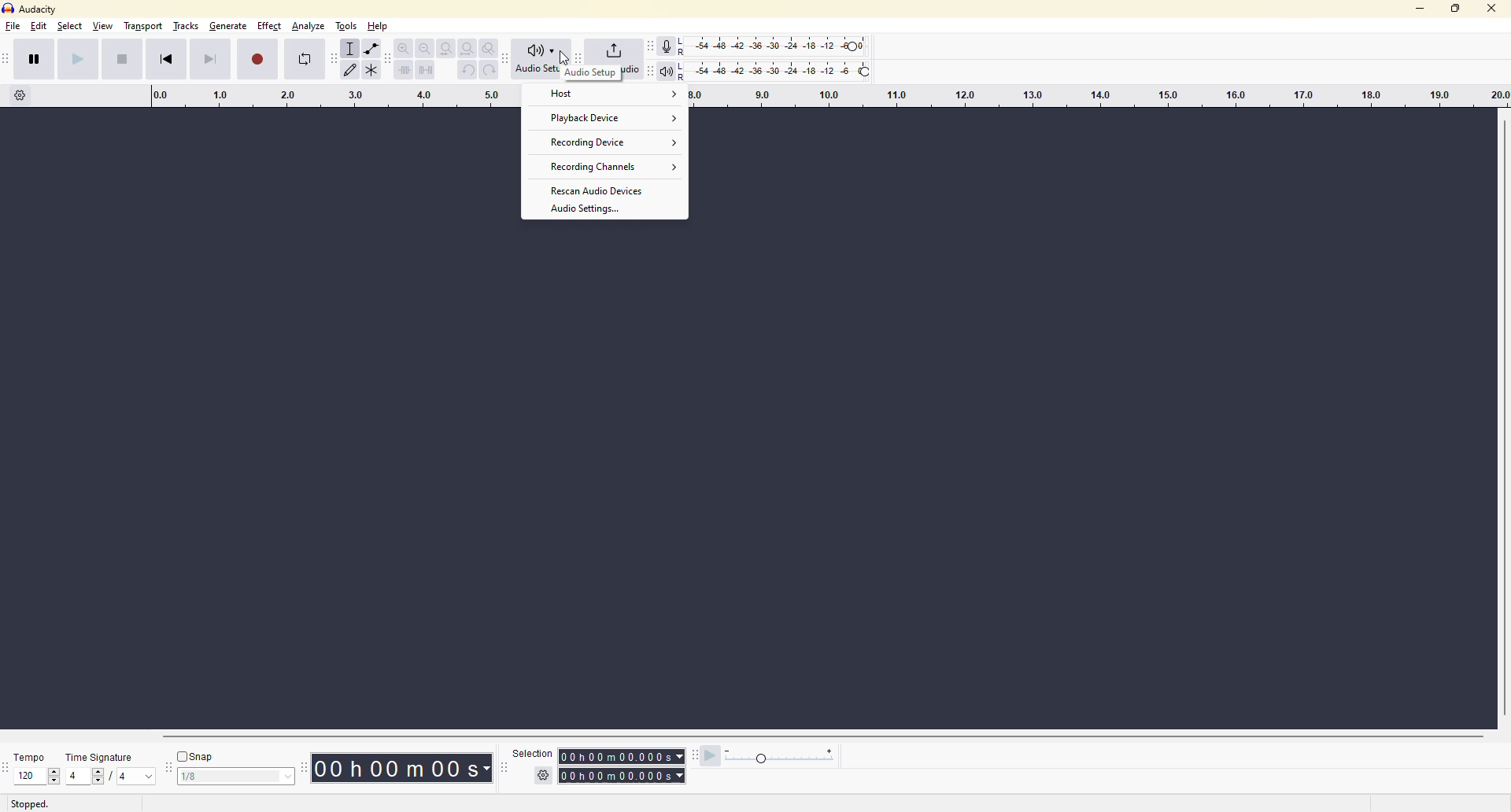 The width and height of the screenshot is (1511, 812). Describe the element at coordinates (224, 27) in the screenshot. I see `generate` at that location.